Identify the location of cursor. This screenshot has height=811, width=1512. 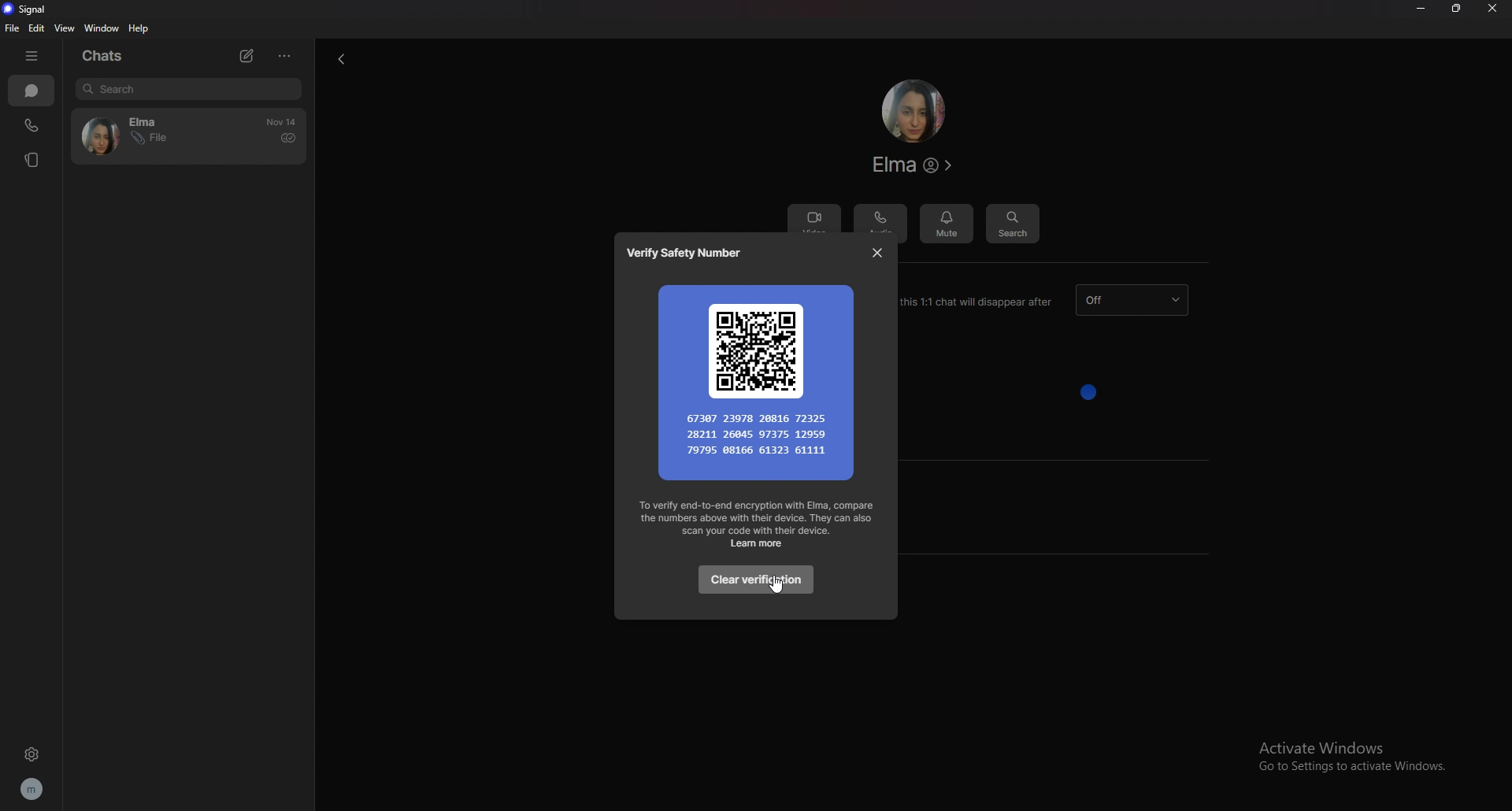
(773, 586).